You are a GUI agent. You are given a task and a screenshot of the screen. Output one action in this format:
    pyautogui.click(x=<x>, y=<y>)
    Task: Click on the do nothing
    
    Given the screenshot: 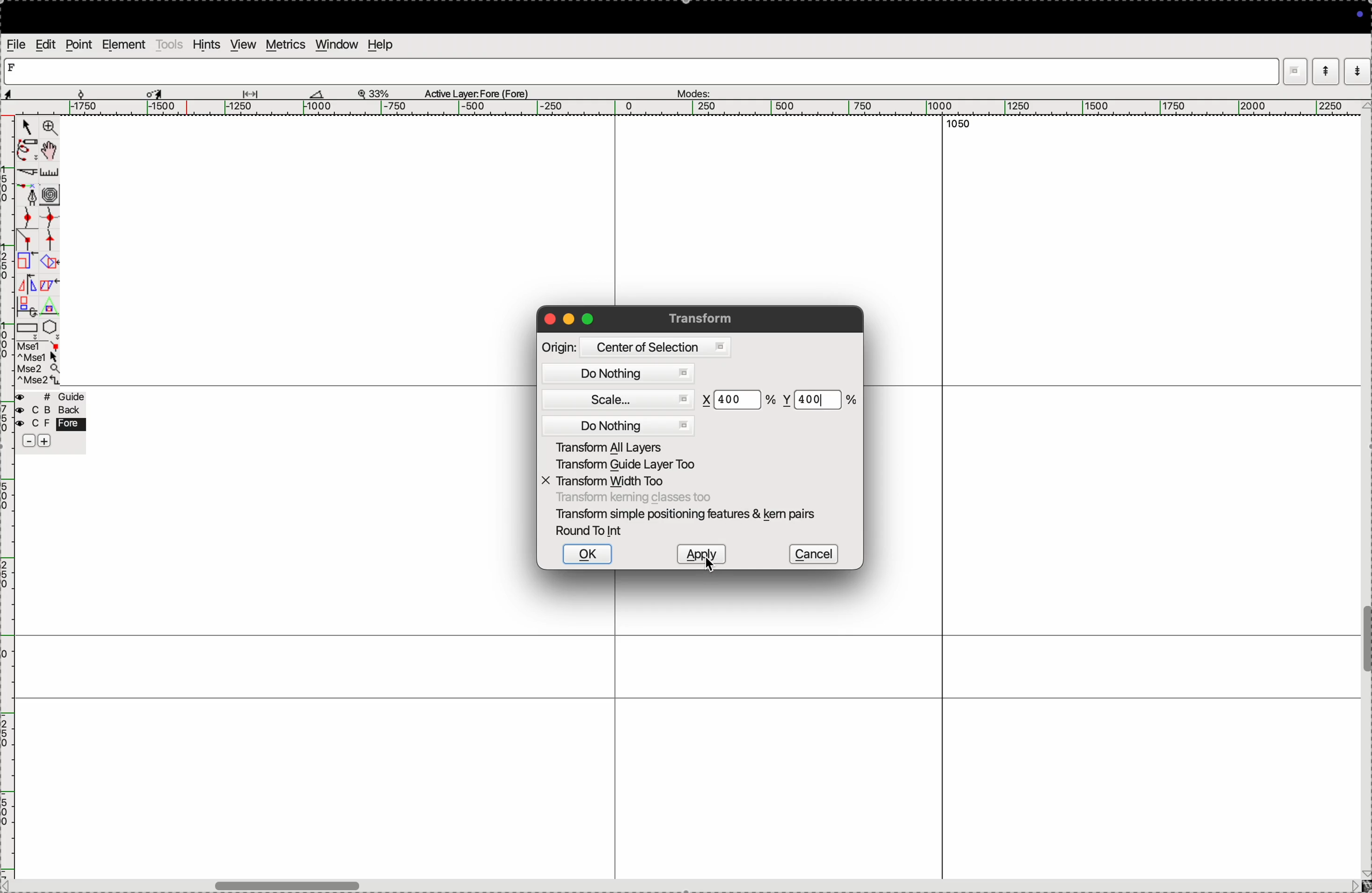 What is the action you would take?
    pyautogui.click(x=620, y=425)
    